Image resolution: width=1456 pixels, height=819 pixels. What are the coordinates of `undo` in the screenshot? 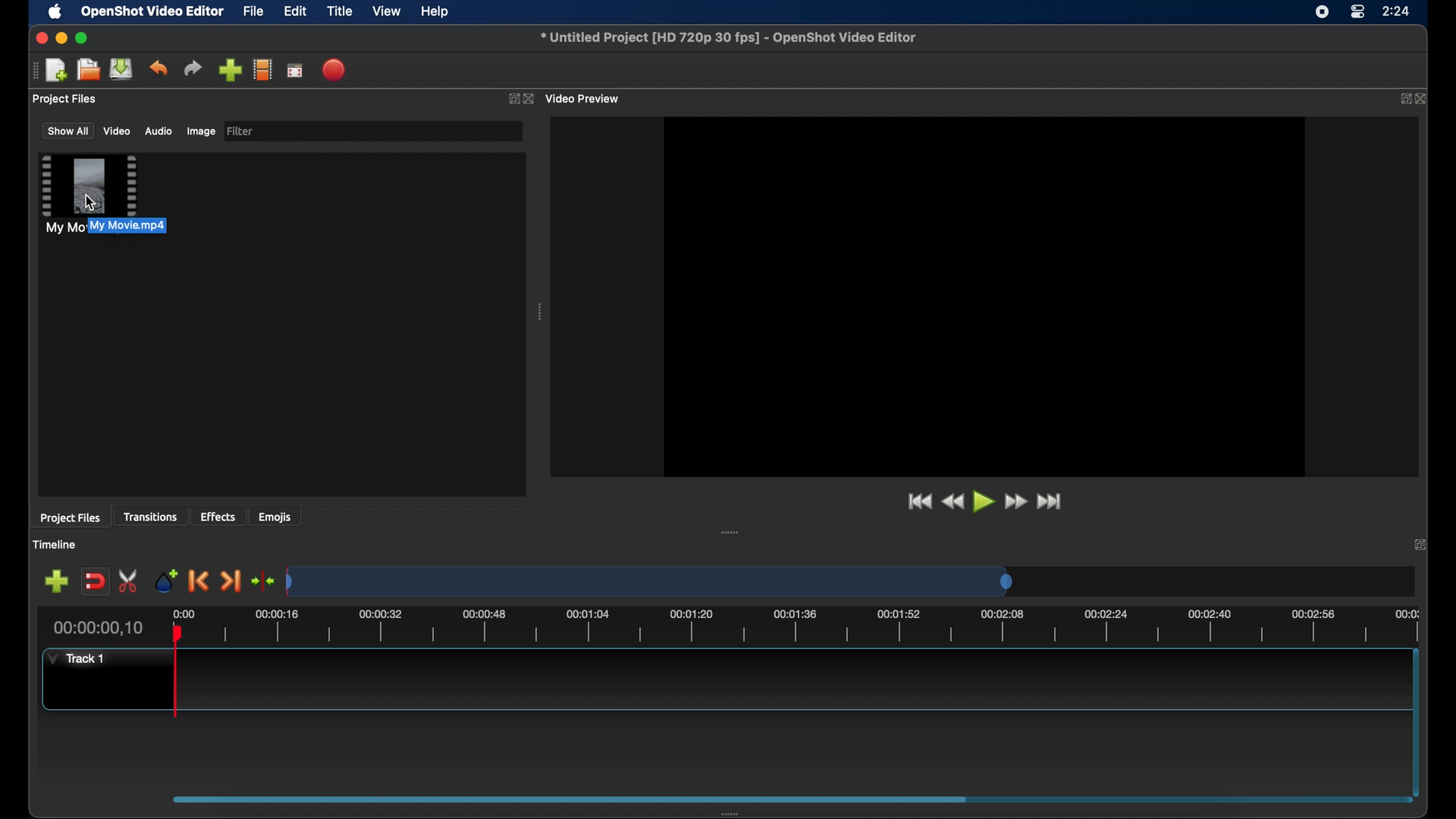 It's located at (158, 68).